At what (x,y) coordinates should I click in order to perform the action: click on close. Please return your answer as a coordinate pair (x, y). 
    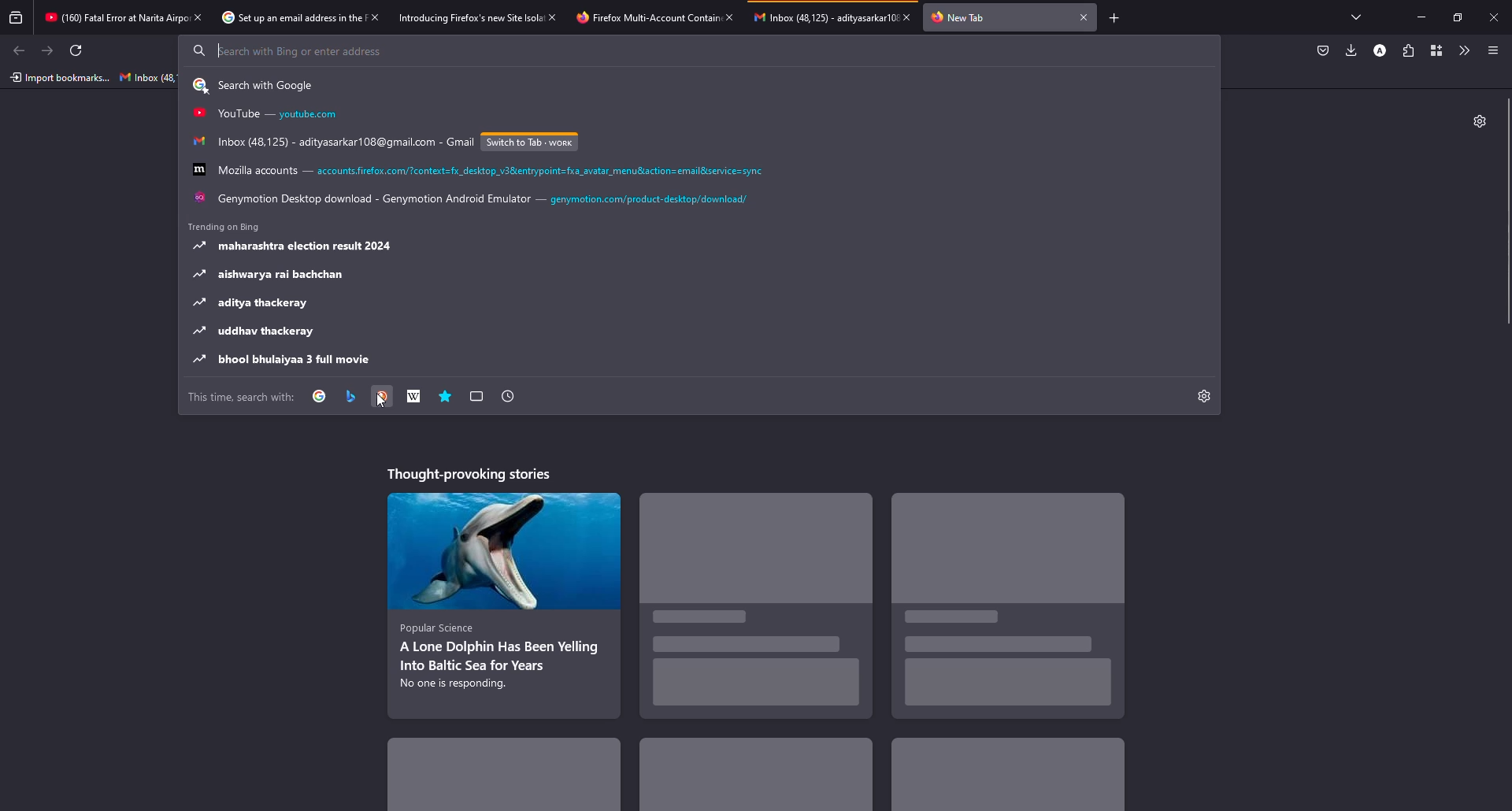
    Looking at the image, I should click on (552, 17).